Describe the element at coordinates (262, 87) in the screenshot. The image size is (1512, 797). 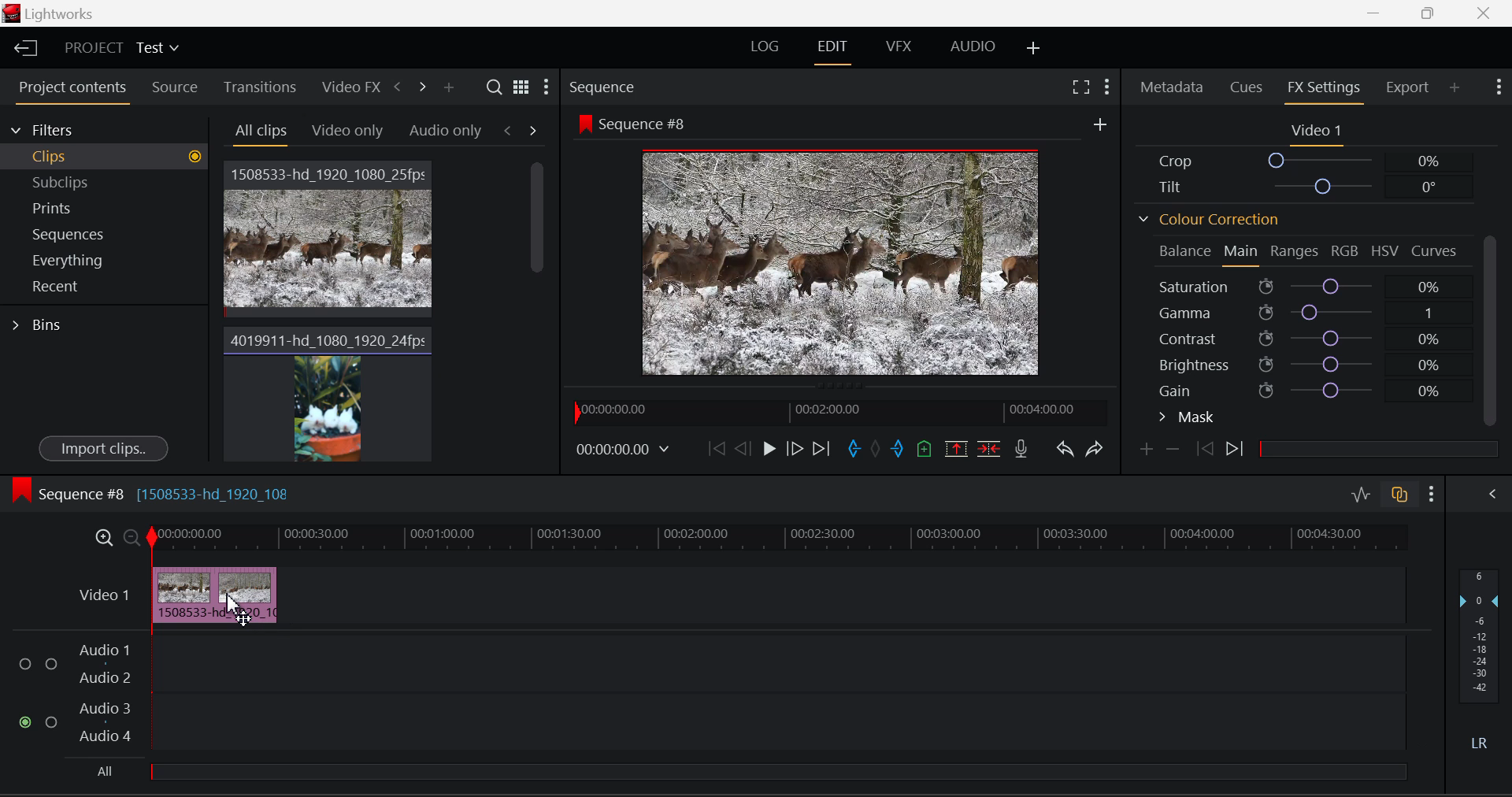
I see `Transitions Tab` at that location.